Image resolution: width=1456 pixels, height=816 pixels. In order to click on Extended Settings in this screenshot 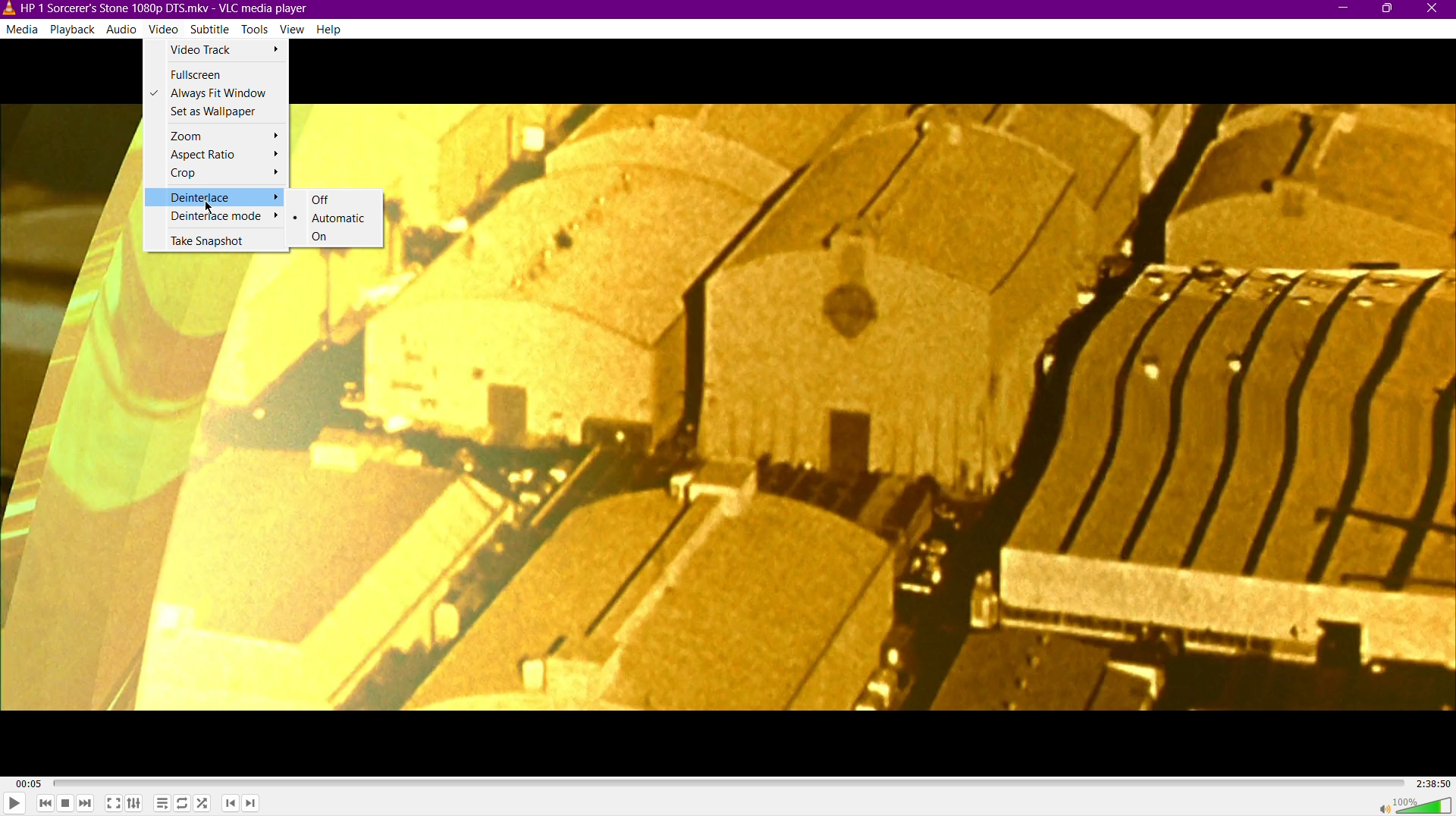, I will do `click(133, 802)`.